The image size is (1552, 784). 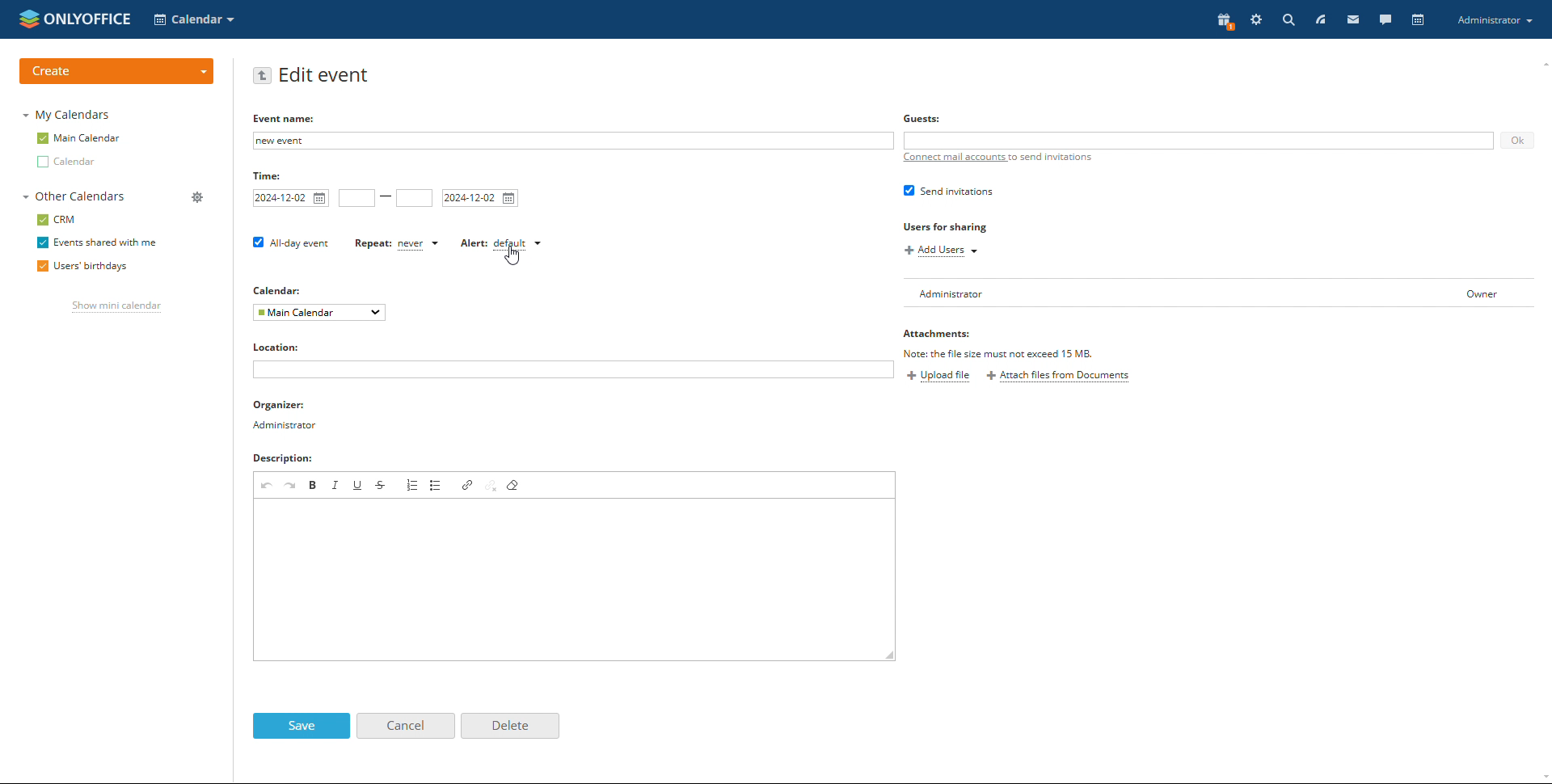 What do you see at coordinates (940, 378) in the screenshot?
I see `upload file` at bounding box center [940, 378].